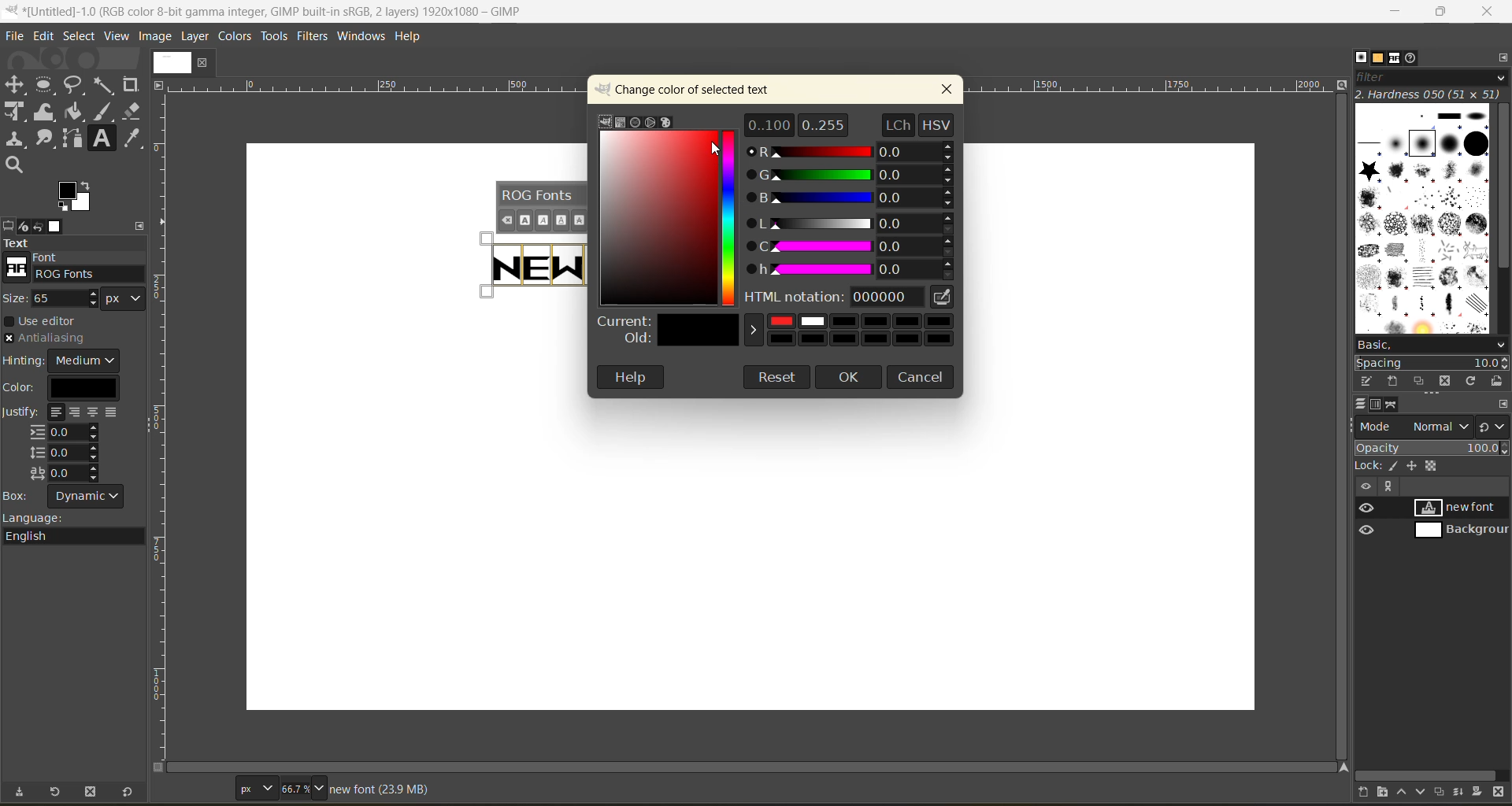 Image resolution: width=1512 pixels, height=806 pixels. I want to click on hinting, so click(64, 360).